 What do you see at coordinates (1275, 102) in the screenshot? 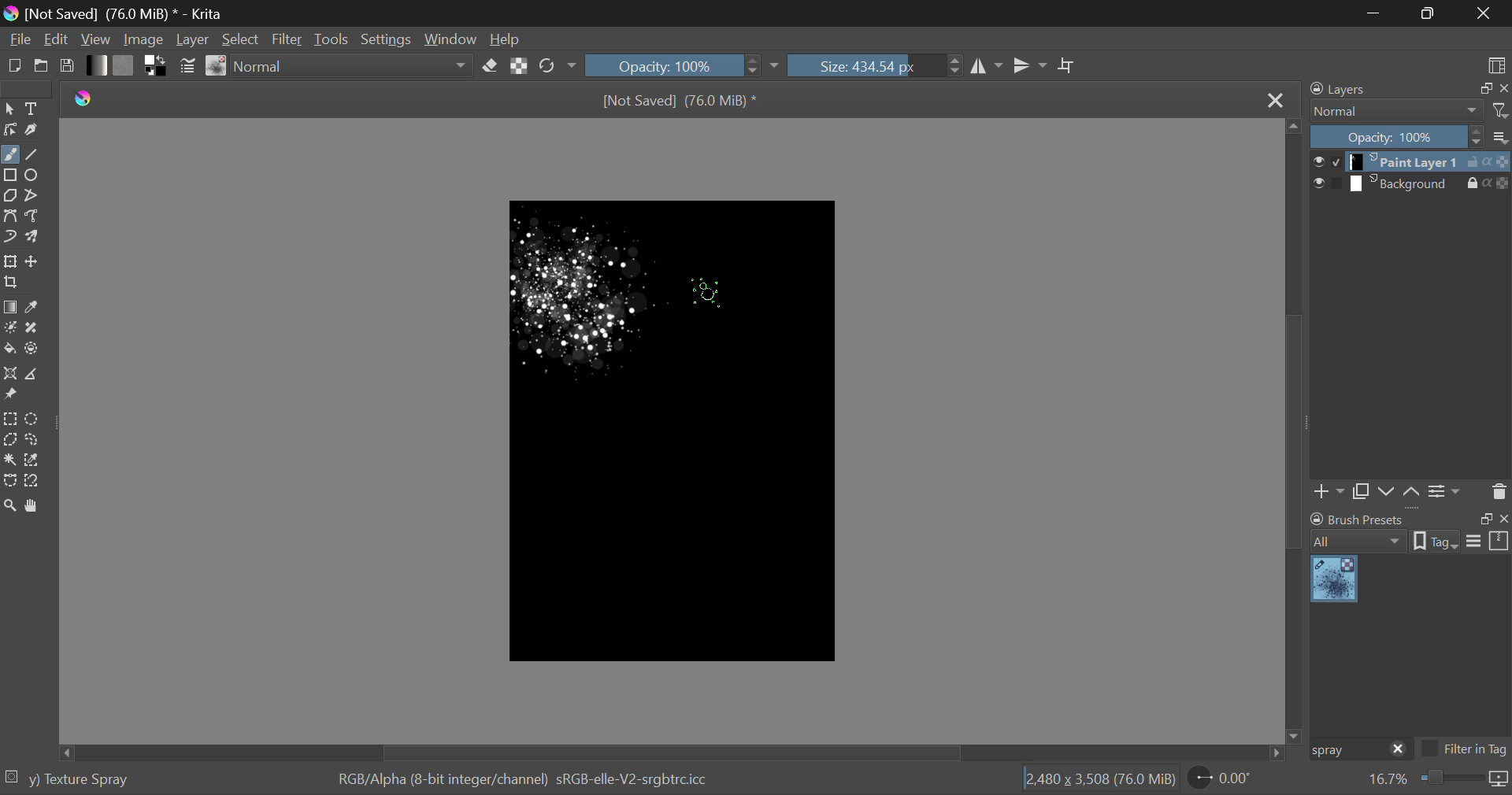
I see `Close` at bounding box center [1275, 102].